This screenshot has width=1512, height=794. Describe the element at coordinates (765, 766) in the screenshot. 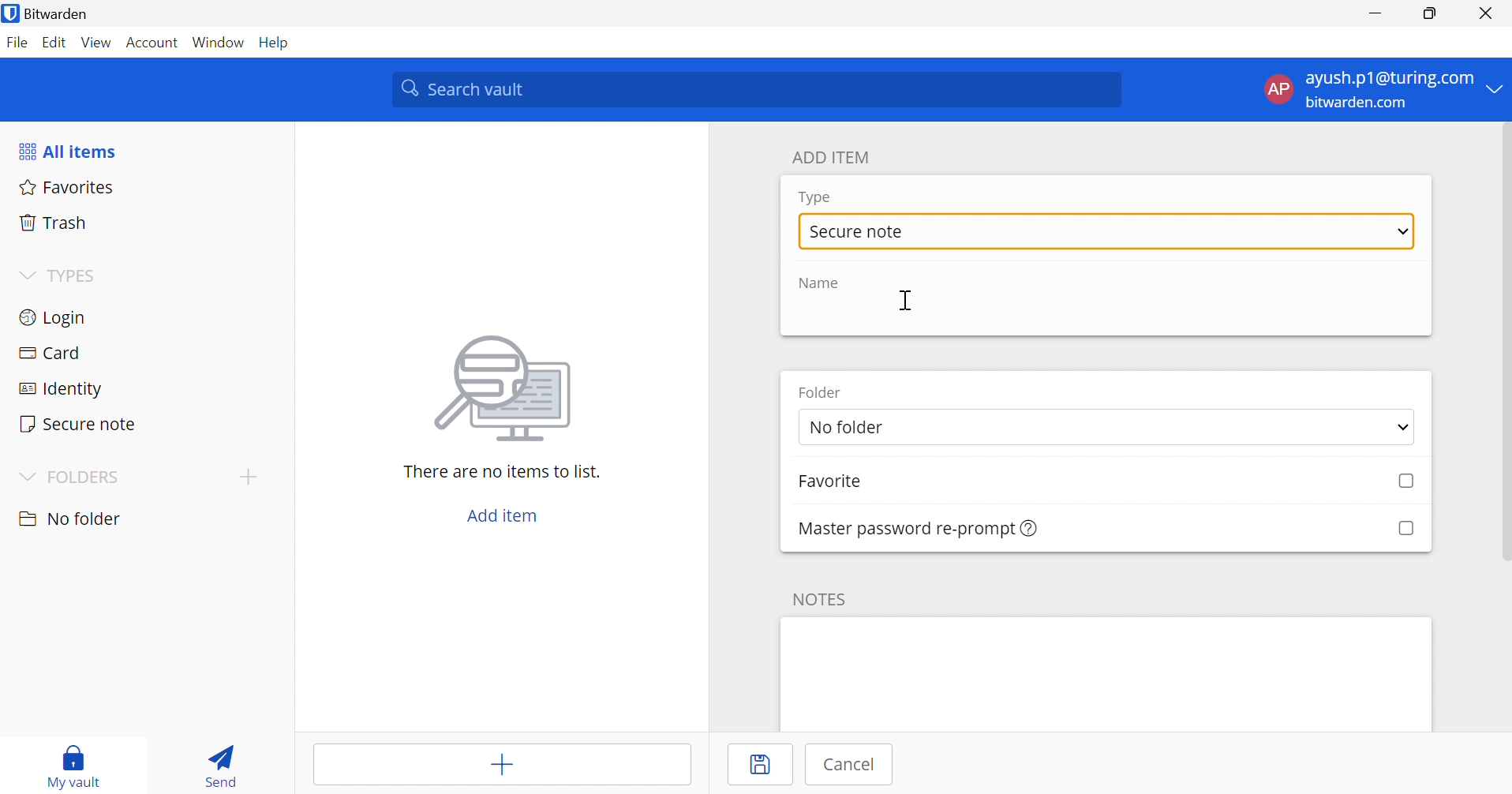

I see `Save` at that location.